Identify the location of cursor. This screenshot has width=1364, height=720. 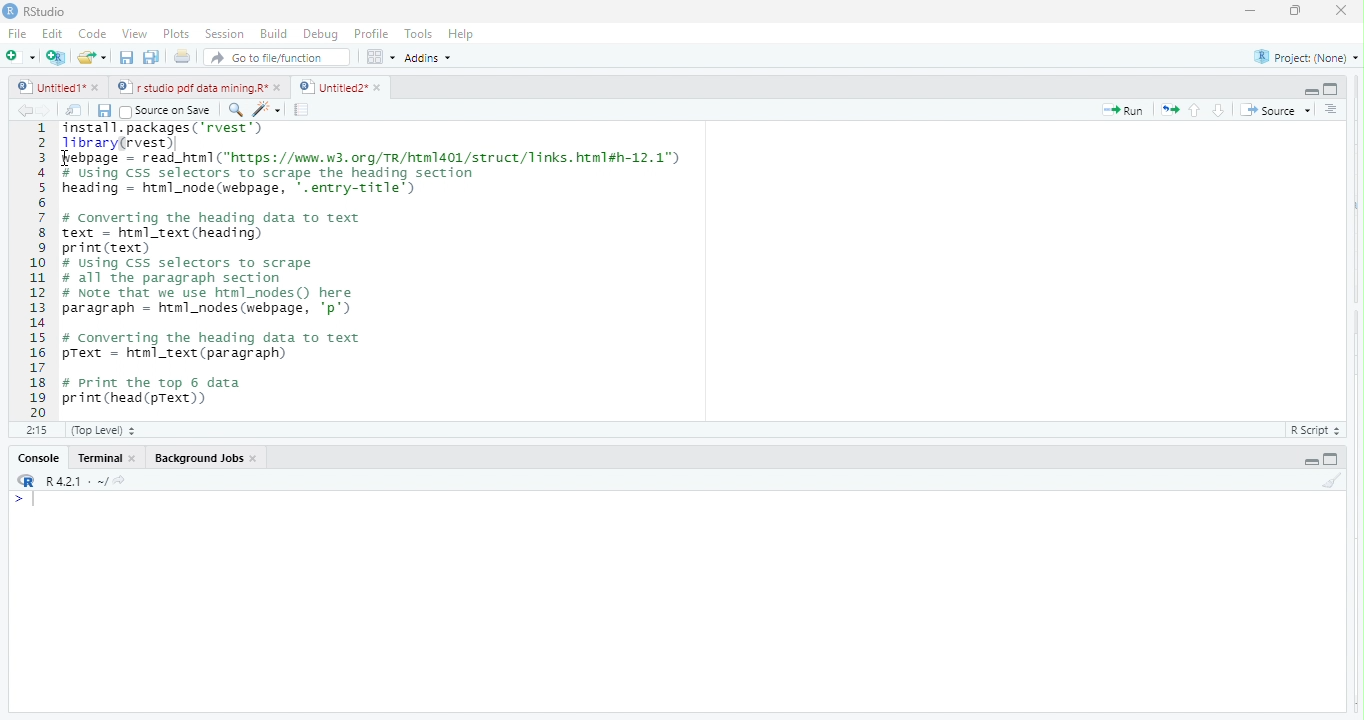
(69, 159).